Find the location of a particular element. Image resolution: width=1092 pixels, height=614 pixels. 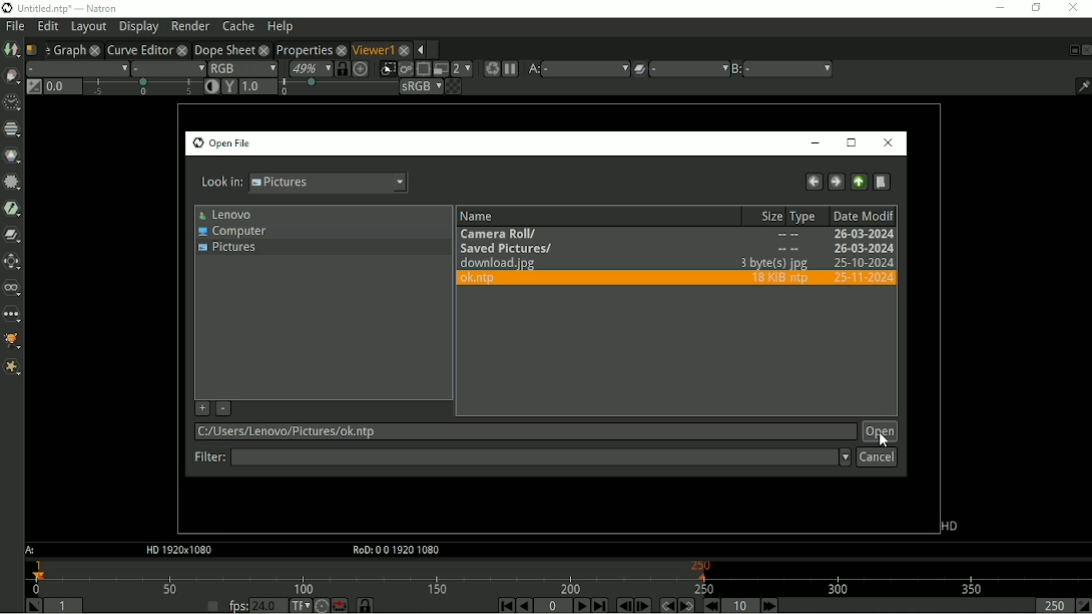

Play backward is located at coordinates (524, 605).